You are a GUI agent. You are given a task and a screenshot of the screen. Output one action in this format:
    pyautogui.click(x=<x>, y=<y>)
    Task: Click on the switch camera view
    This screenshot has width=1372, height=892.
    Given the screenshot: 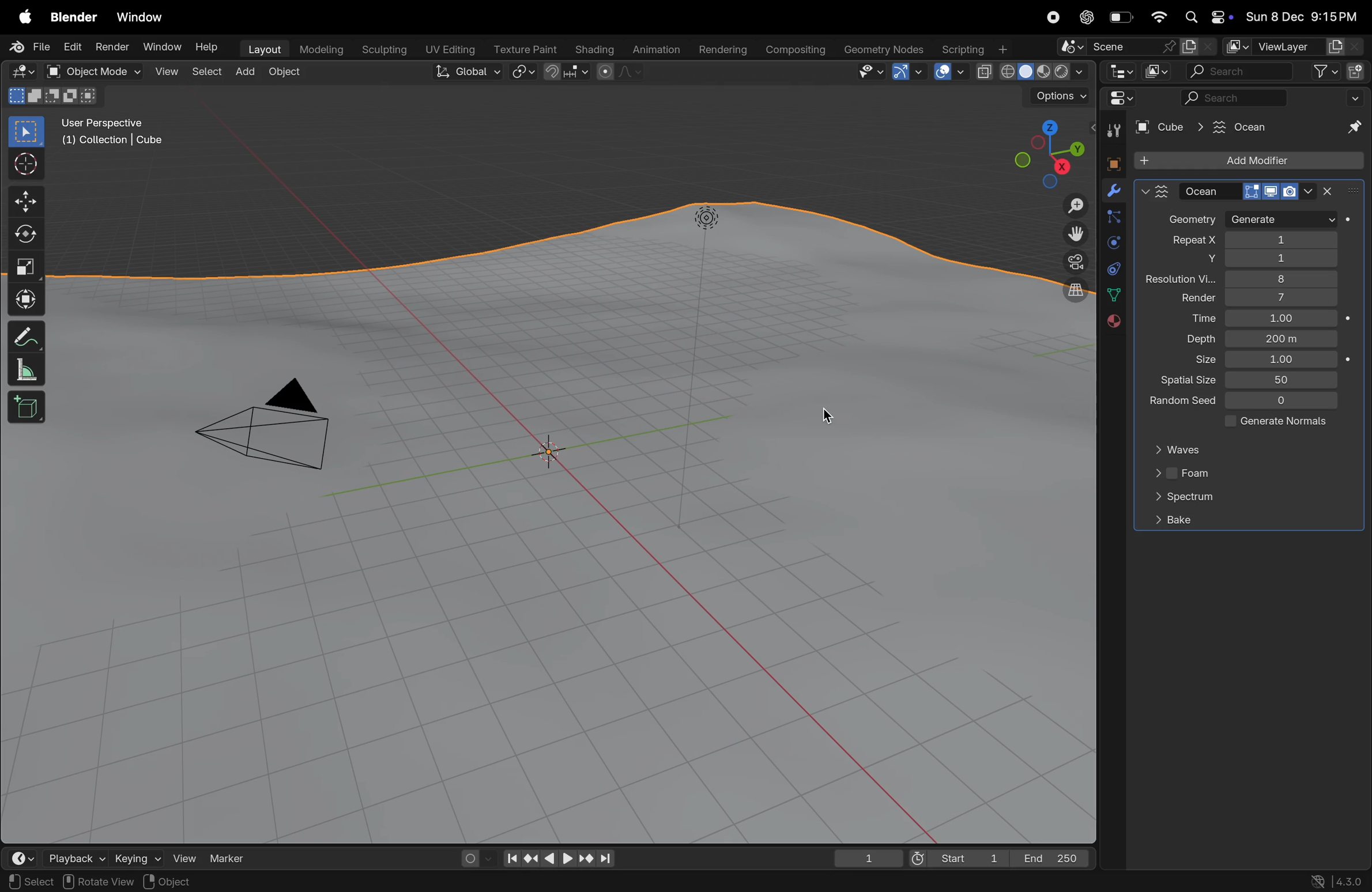 What is the action you would take?
    pyautogui.click(x=1071, y=261)
    